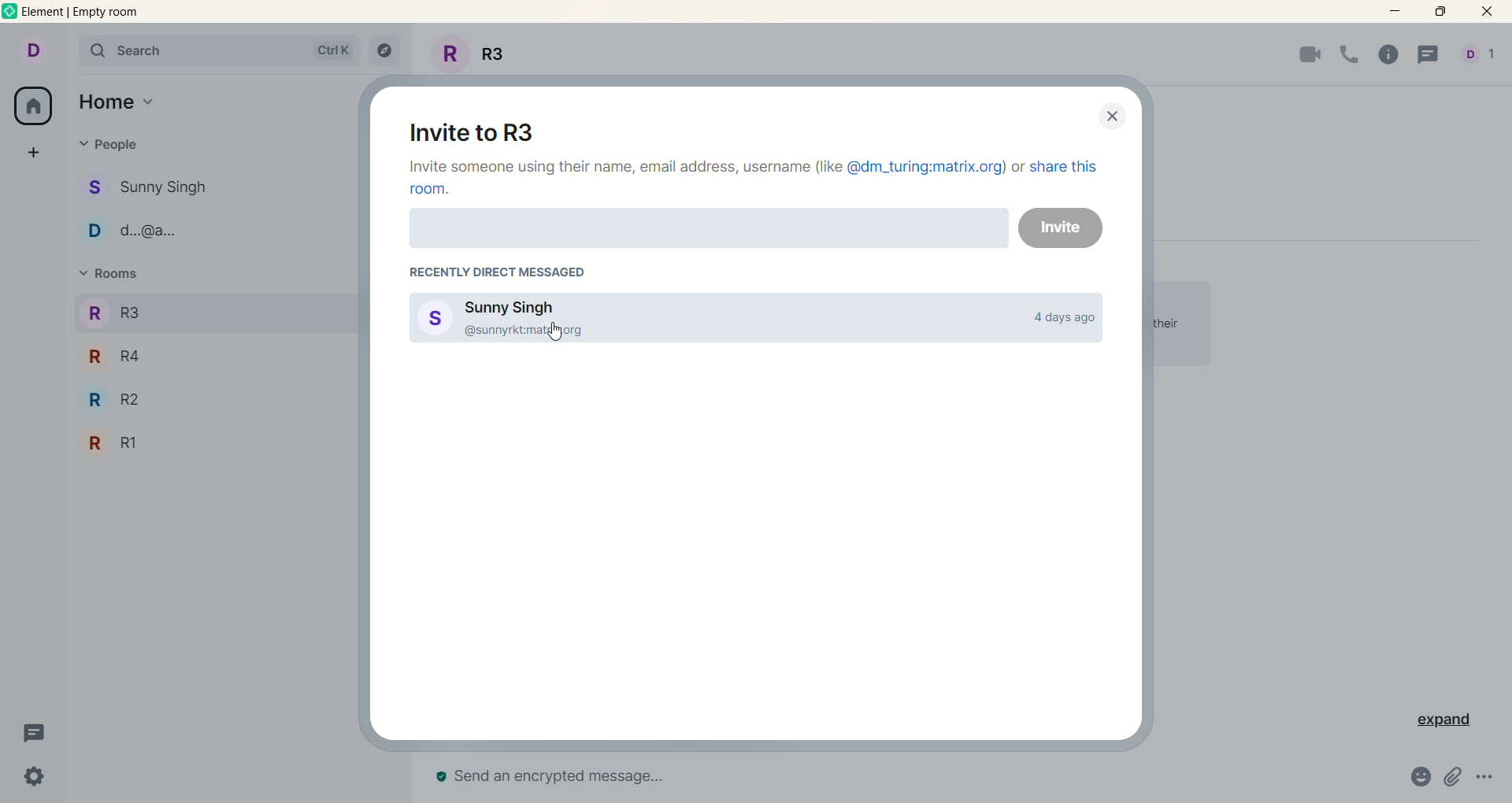 This screenshot has width=1512, height=803. What do you see at coordinates (1414, 778) in the screenshot?
I see `emoji` at bounding box center [1414, 778].